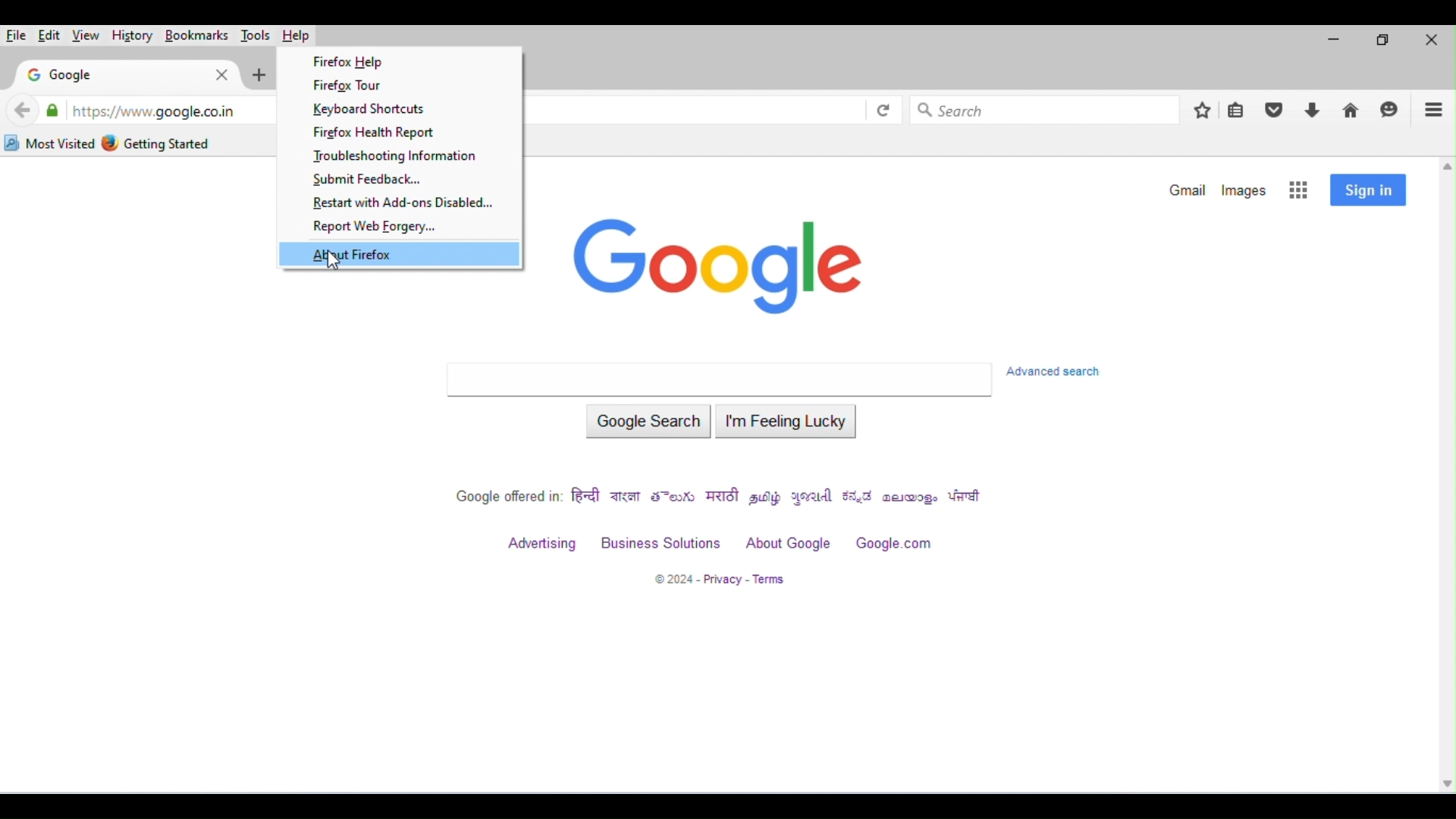  I want to click on home page, so click(1351, 111).